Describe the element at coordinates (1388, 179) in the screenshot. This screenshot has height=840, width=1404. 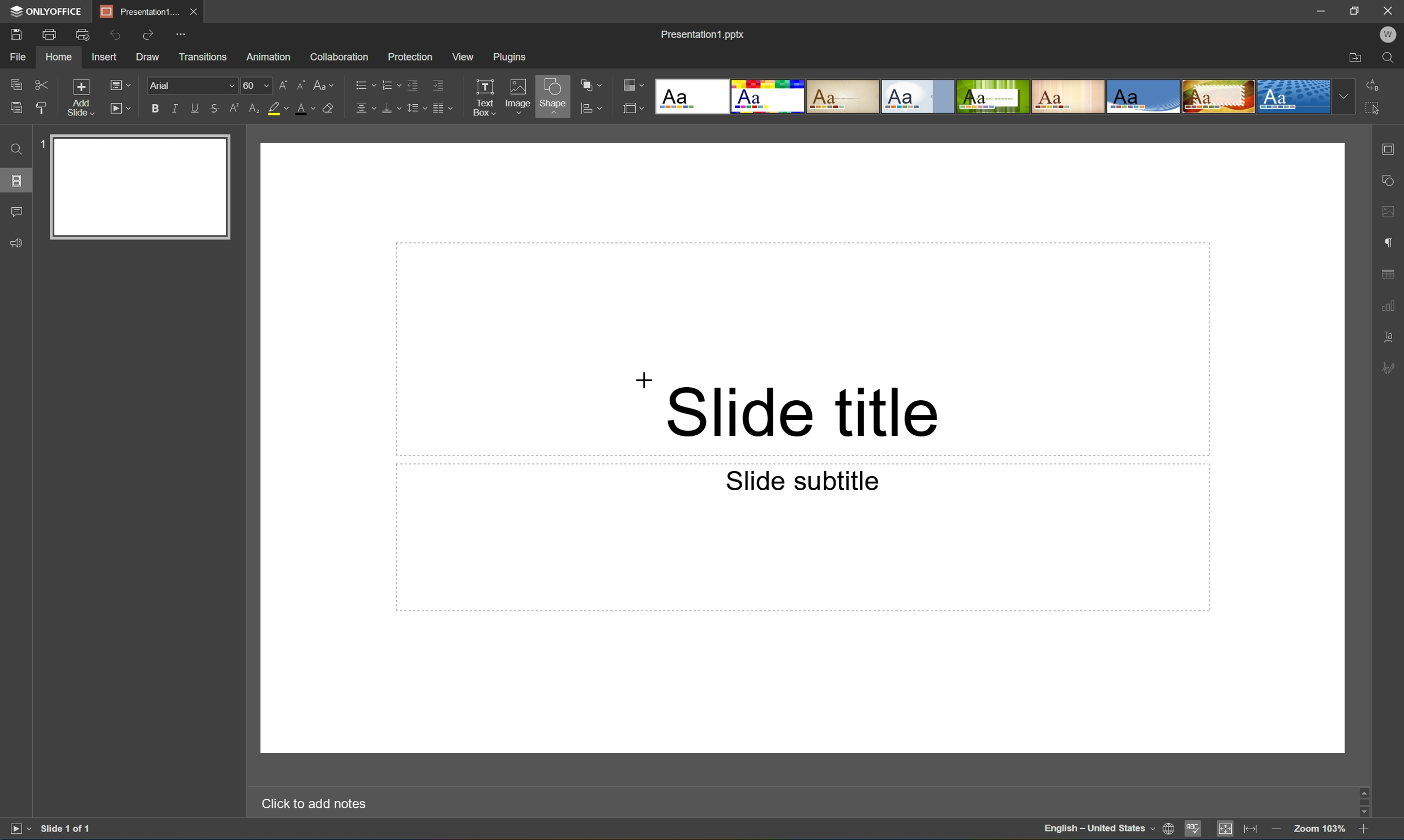
I see `shape settings` at that location.